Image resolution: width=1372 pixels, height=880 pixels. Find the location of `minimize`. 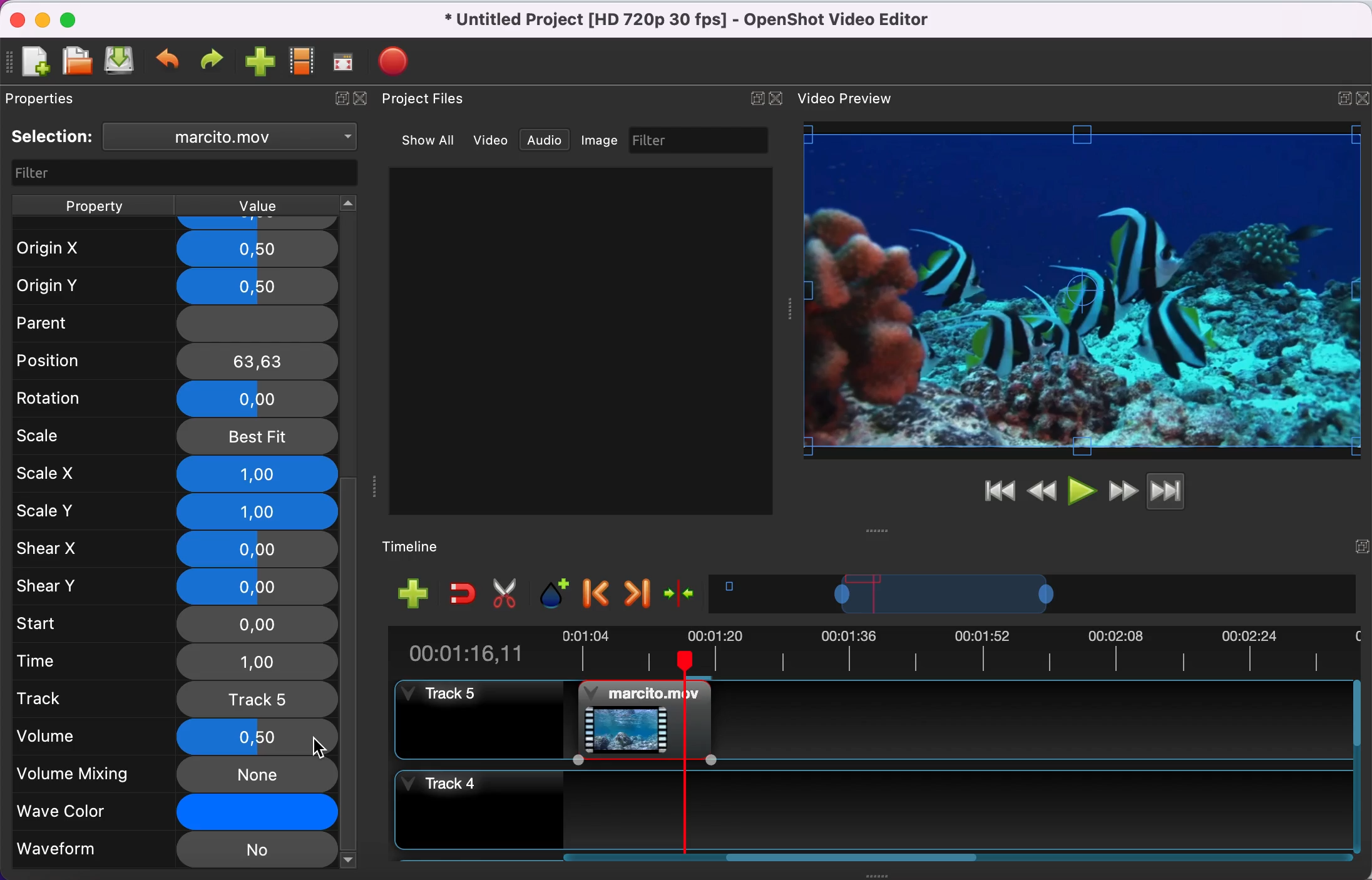

minimize is located at coordinates (42, 19).